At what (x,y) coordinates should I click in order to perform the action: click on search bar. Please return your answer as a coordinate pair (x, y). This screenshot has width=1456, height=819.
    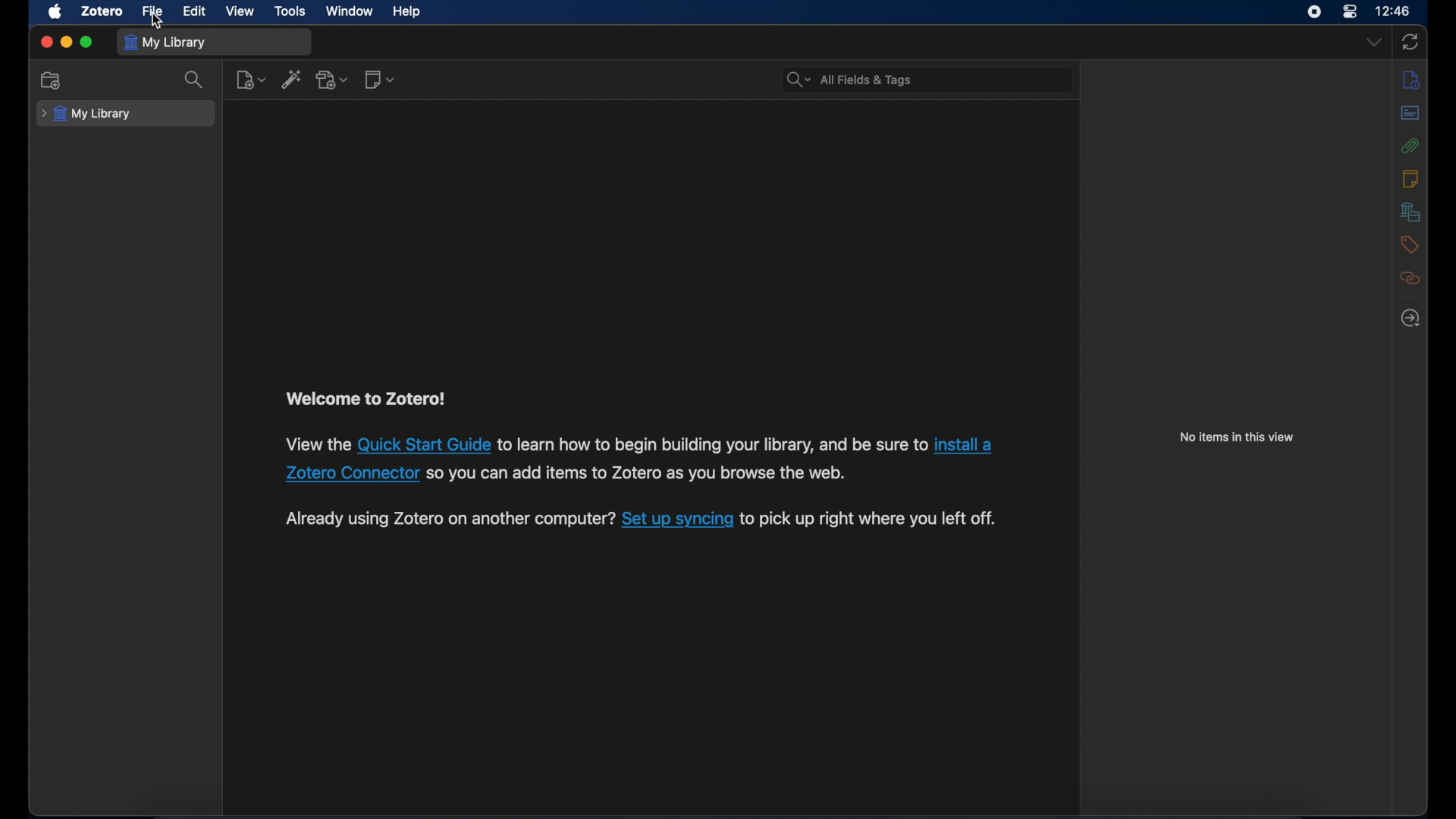
    Looking at the image, I should click on (849, 78).